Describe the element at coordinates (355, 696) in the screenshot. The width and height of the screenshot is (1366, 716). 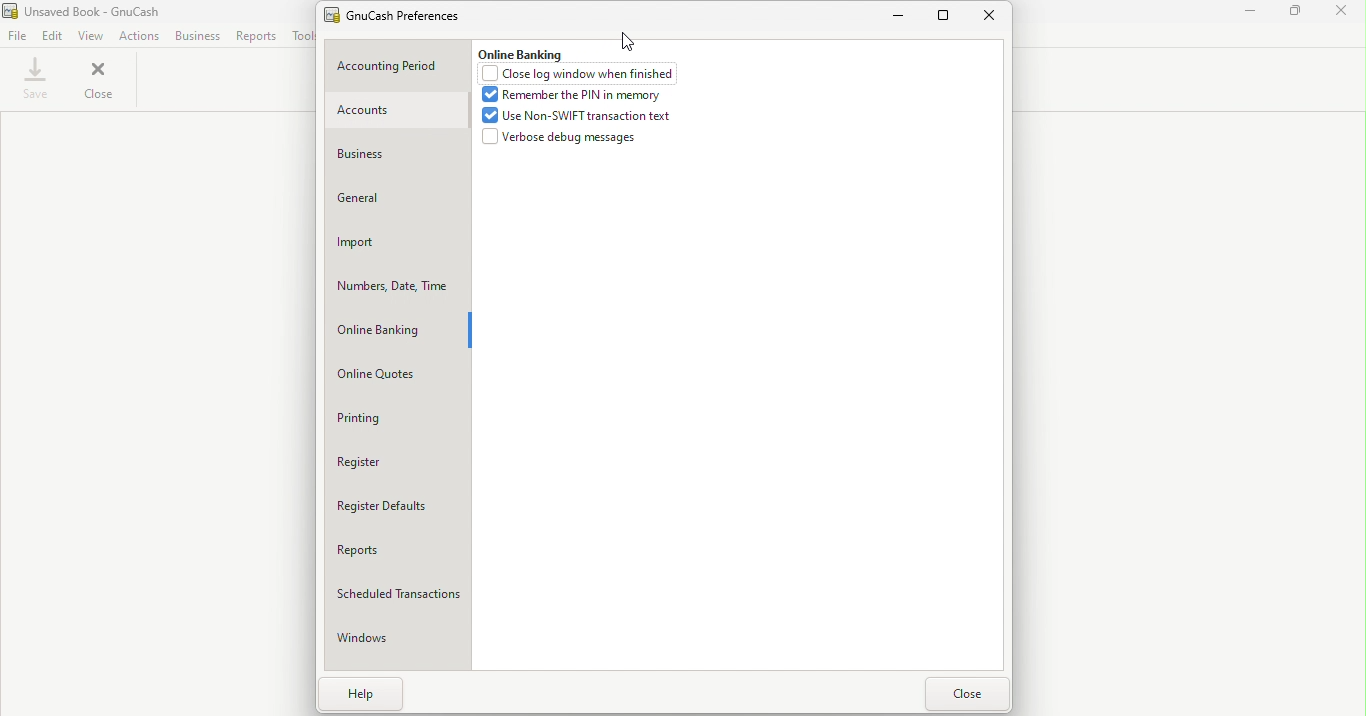
I see `Help` at that location.